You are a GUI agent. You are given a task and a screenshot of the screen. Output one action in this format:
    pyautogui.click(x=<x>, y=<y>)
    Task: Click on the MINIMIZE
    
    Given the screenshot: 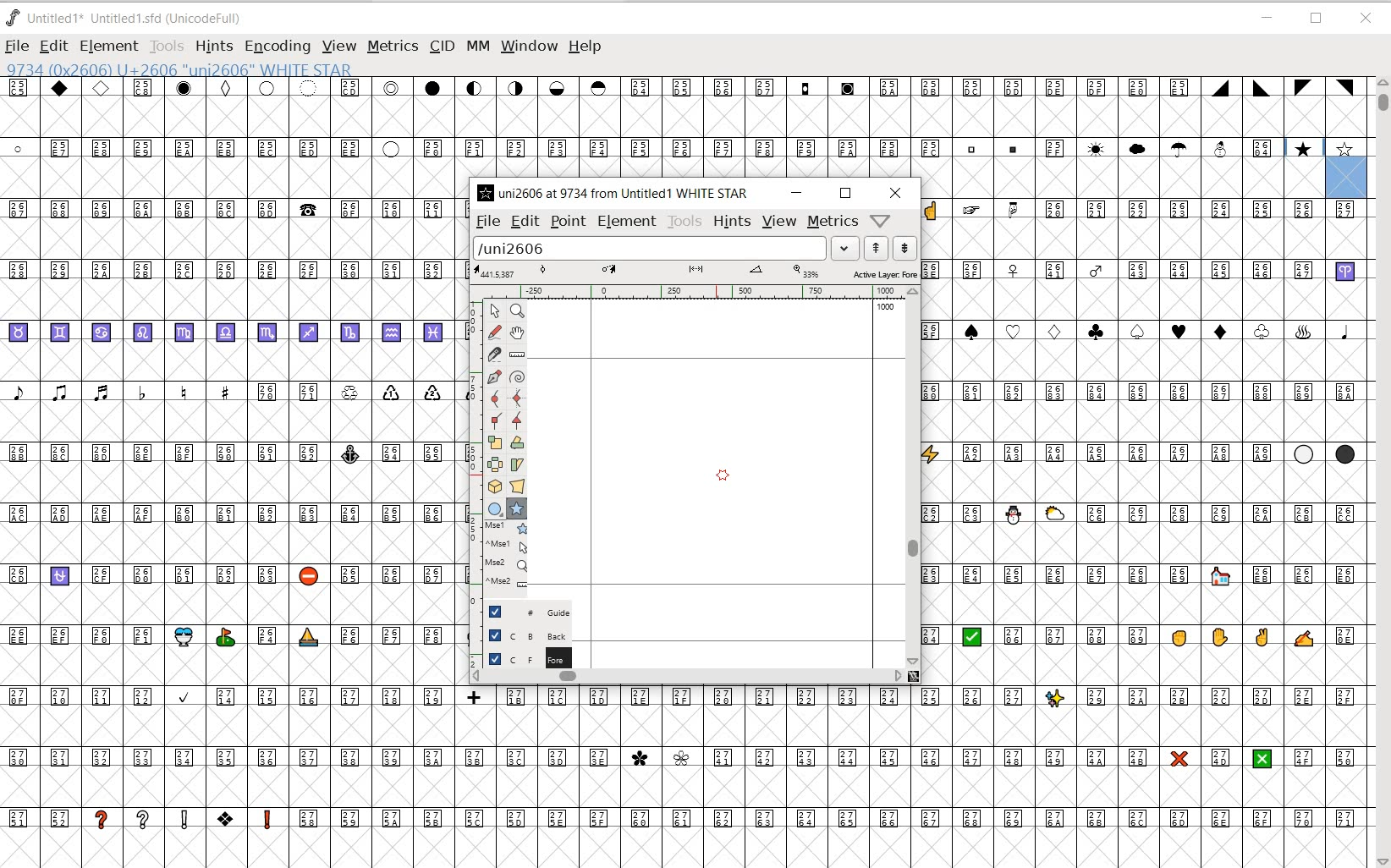 What is the action you would take?
    pyautogui.click(x=1267, y=18)
    